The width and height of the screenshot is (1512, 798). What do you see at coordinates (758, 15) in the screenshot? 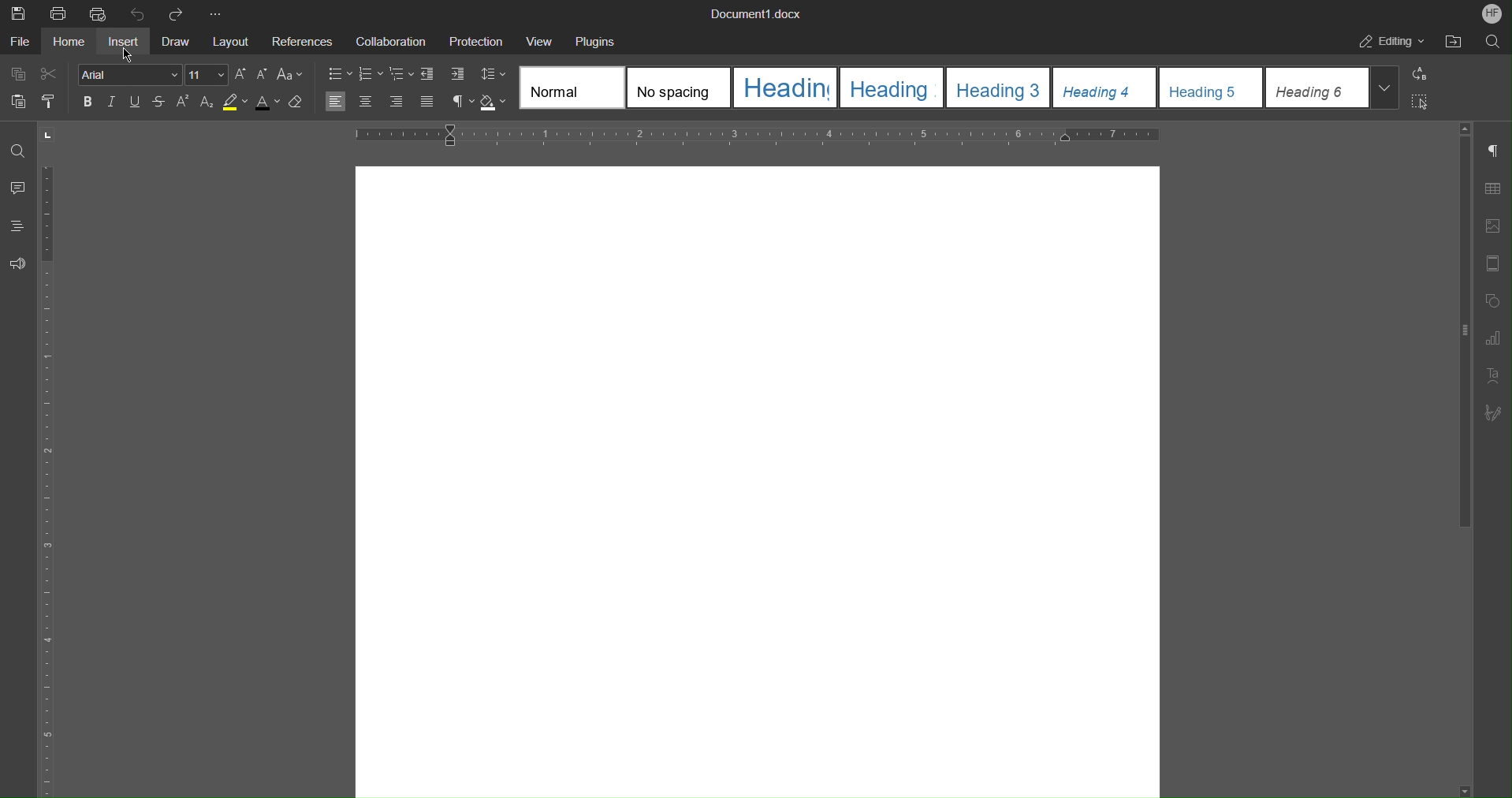
I see `Document1.docx` at bounding box center [758, 15].